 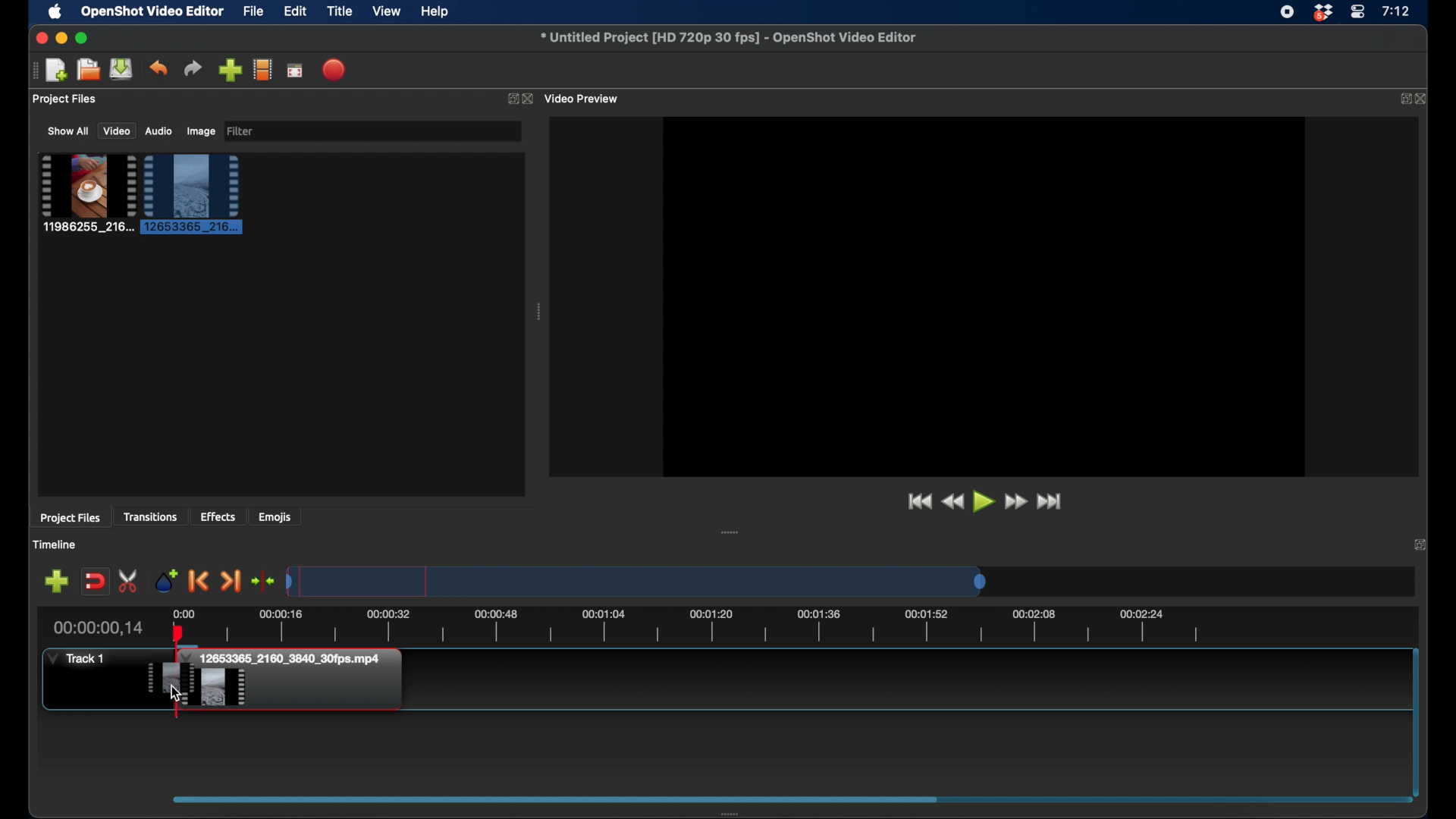 What do you see at coordinates (176, 692) in the screenshot?
I see `Cursor` at bounding box center [176, 692].